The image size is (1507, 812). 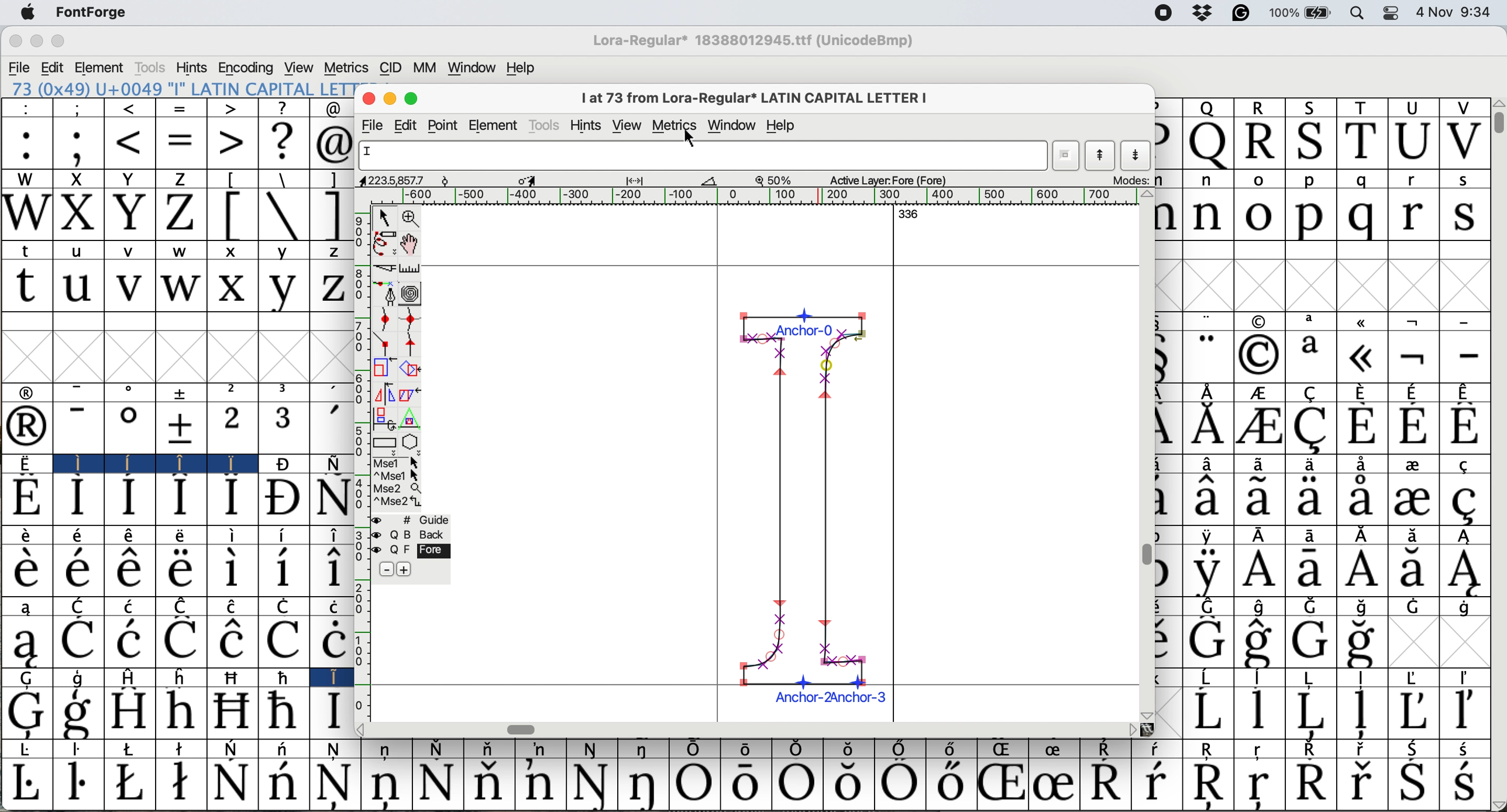 I want to click on Symbol, so click(x=1266, y=536).